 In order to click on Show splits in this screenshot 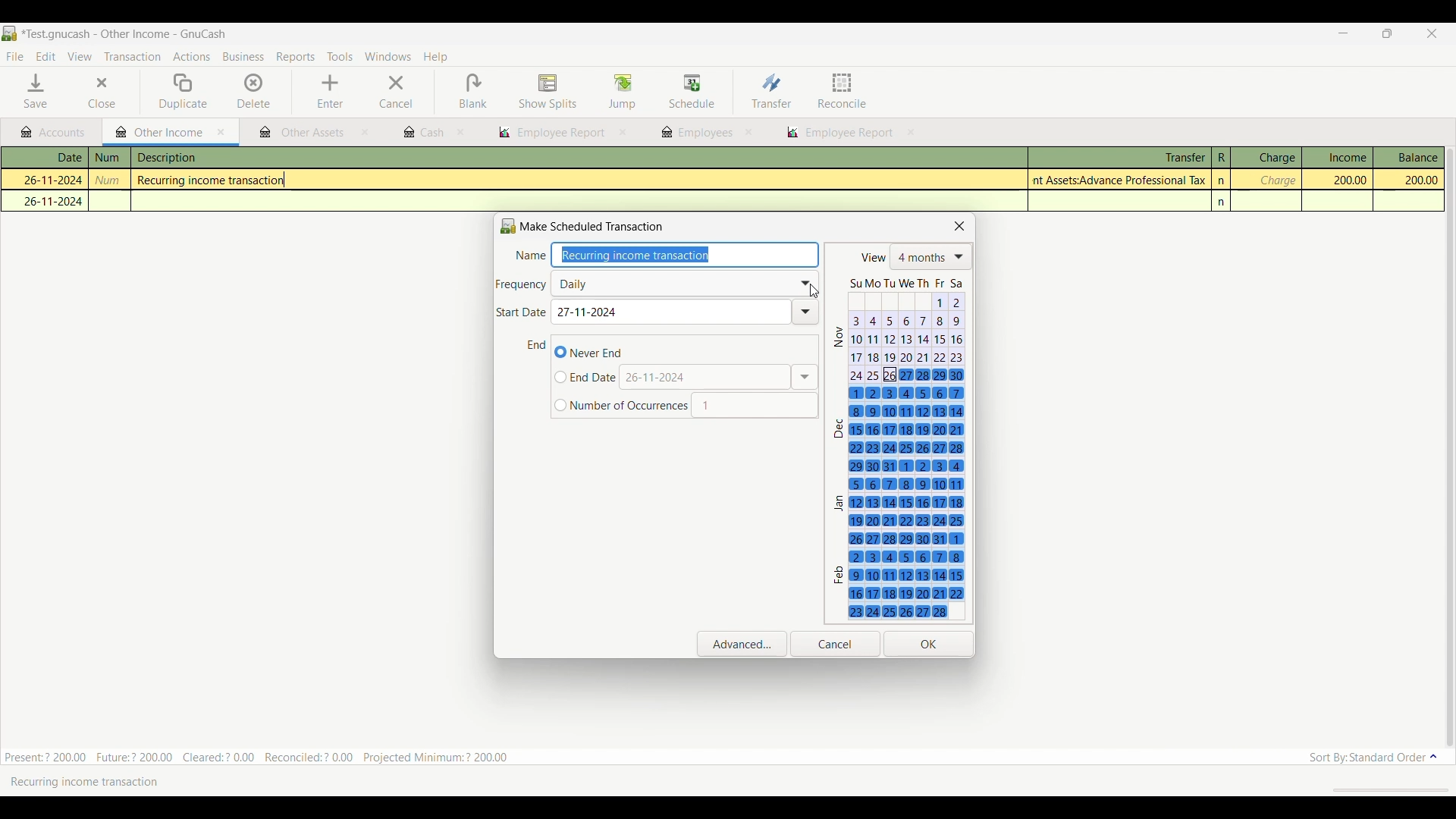, I will do `click(548, 93)`.